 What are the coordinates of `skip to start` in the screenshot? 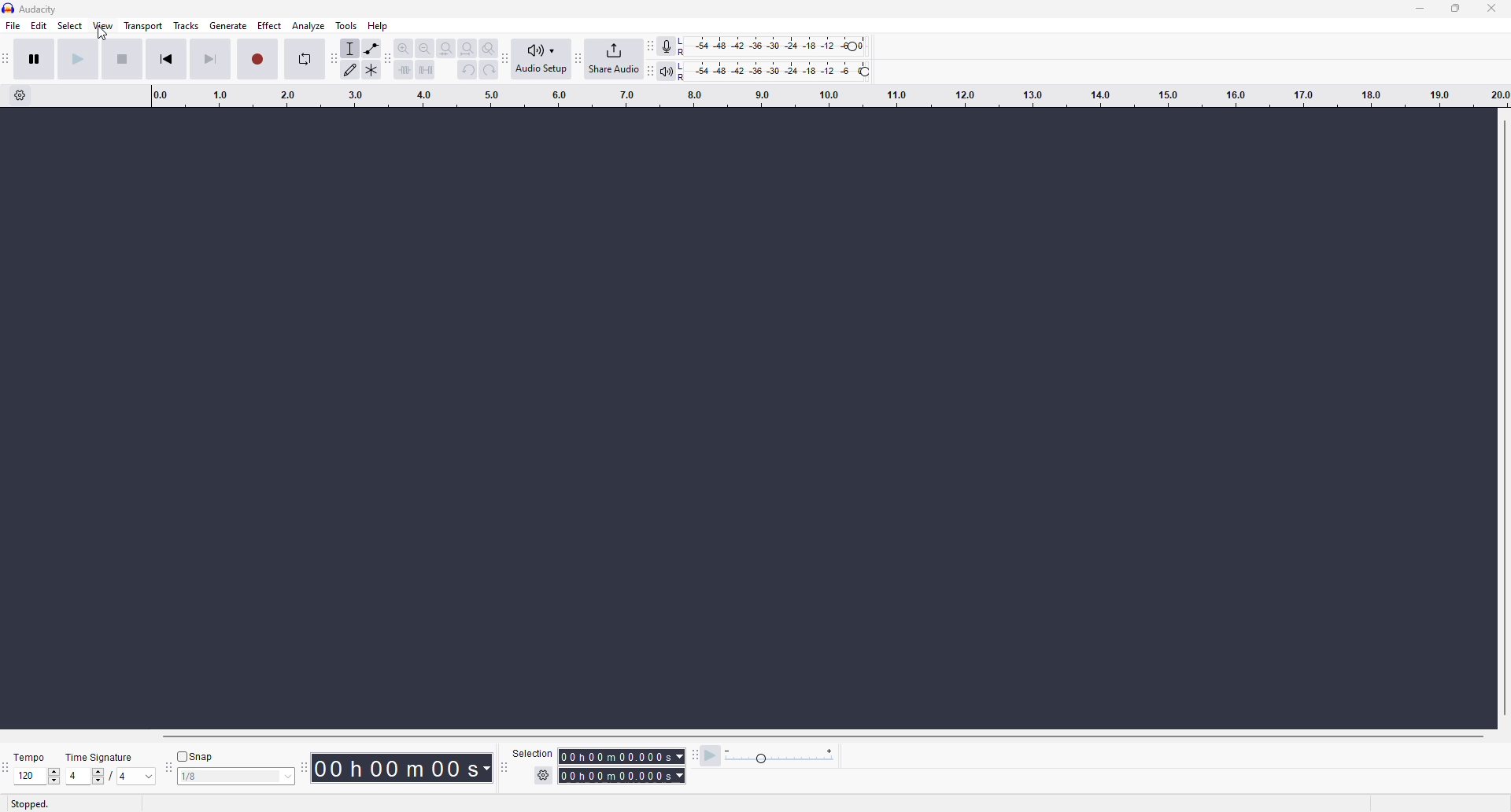 It's located at (166, 58).